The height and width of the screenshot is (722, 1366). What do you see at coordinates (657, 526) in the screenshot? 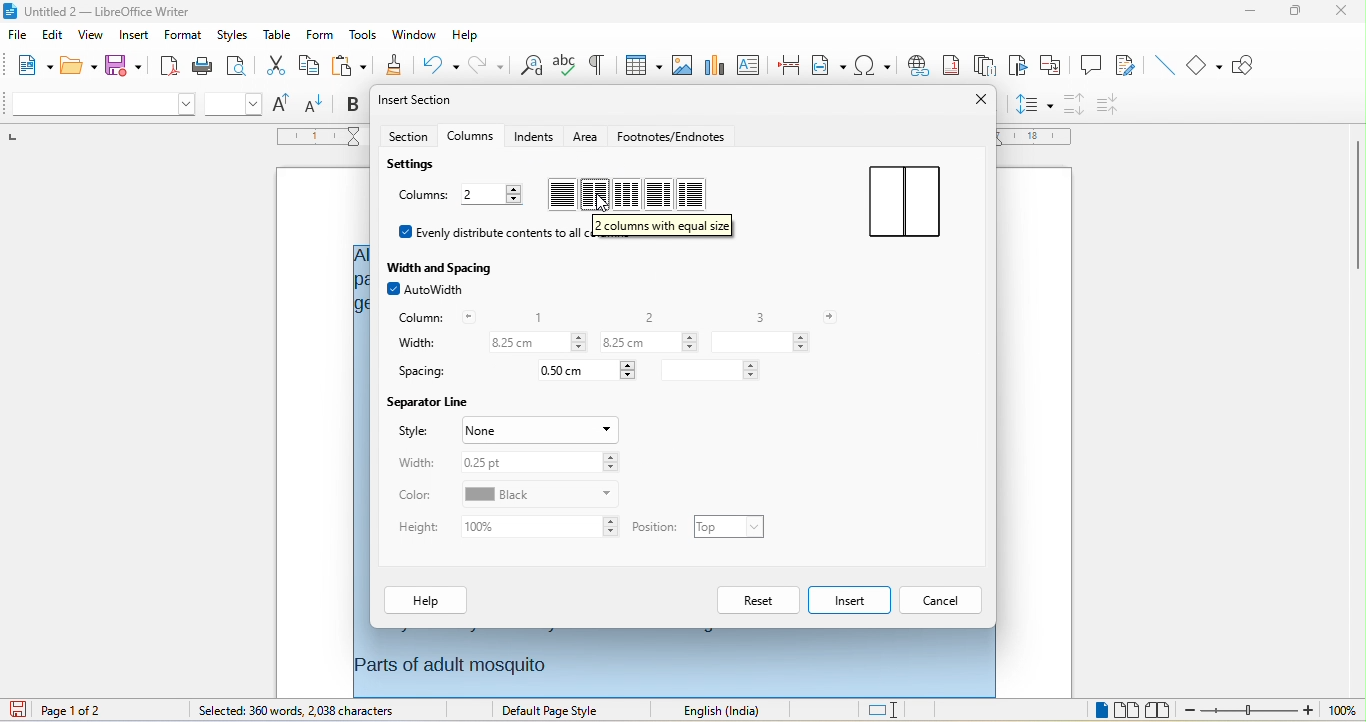
I see `position` at bounding box center [657, 526].